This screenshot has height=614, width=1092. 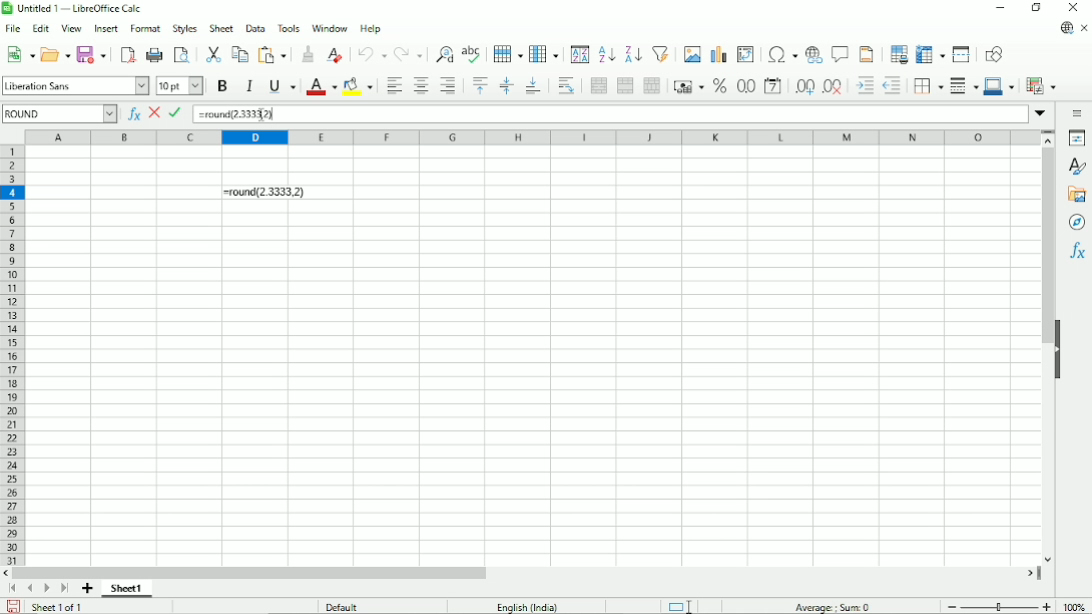 What do you see at coordinates (932, 54) in the screenshot?
I see `Freeze rows and columns` at bounding box center [932, 54].